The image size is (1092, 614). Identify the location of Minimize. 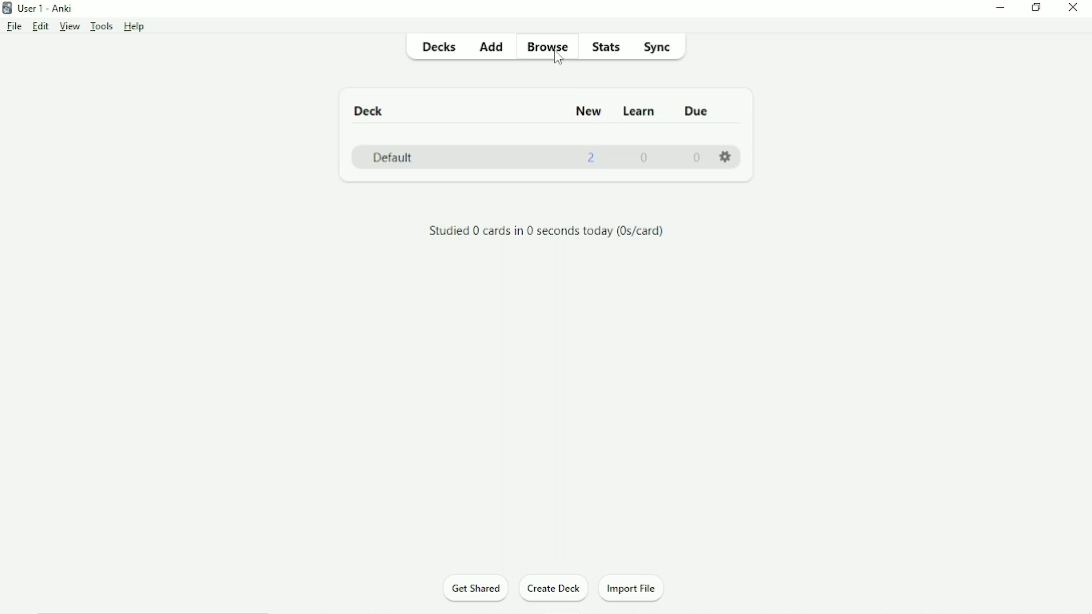
(1001, 7).